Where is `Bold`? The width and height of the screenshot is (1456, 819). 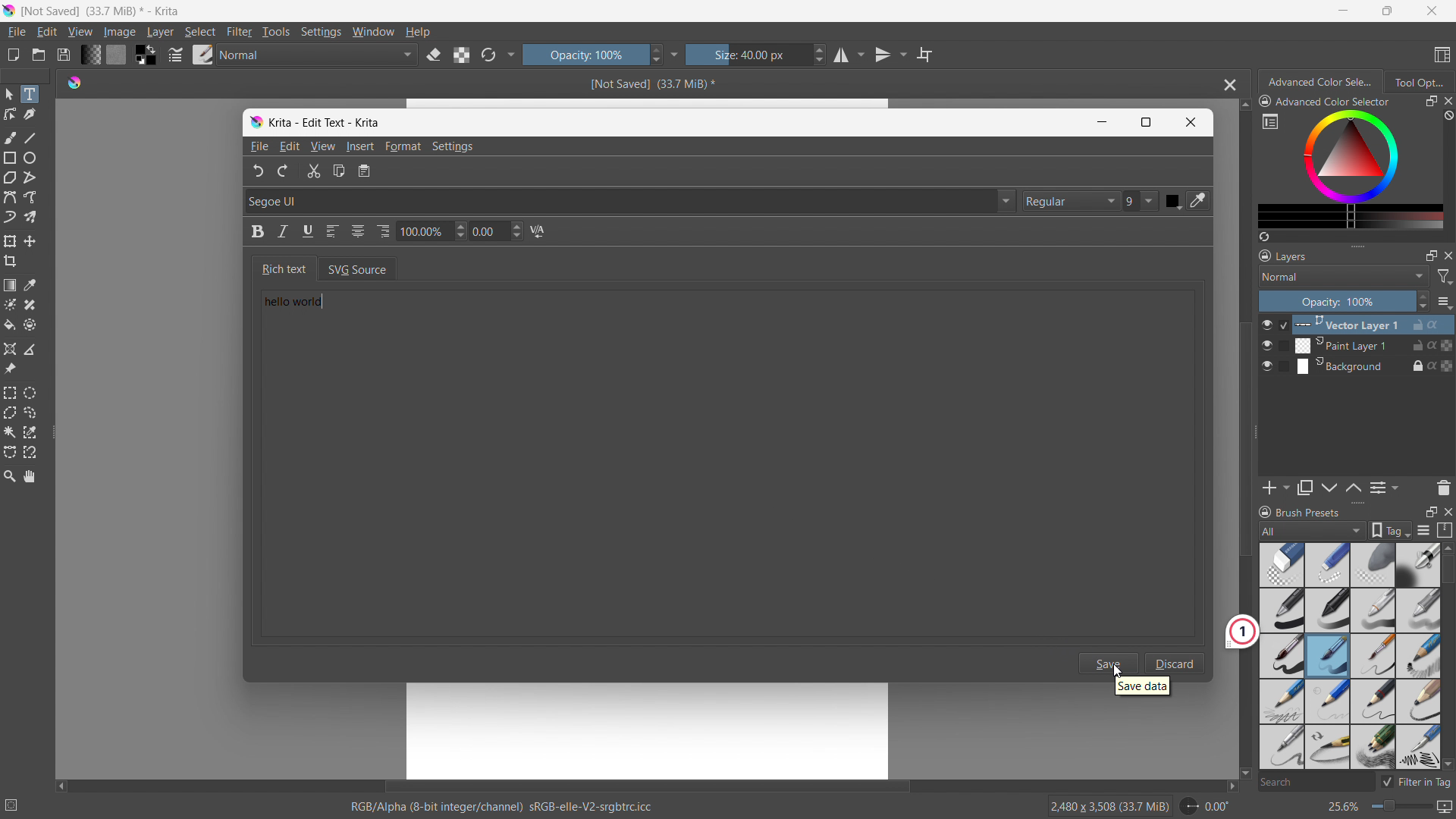 Bold is located at coordinates (253, 234).